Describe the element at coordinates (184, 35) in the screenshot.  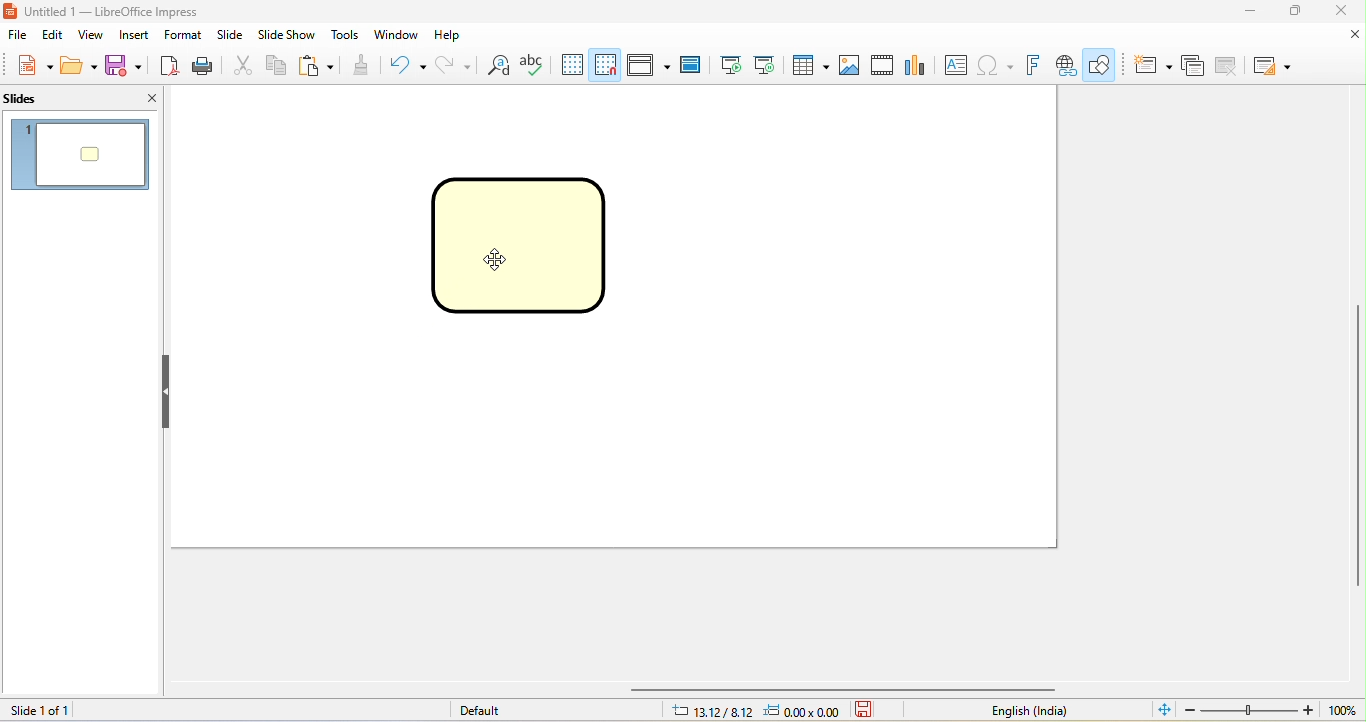
I see `format` at that location.